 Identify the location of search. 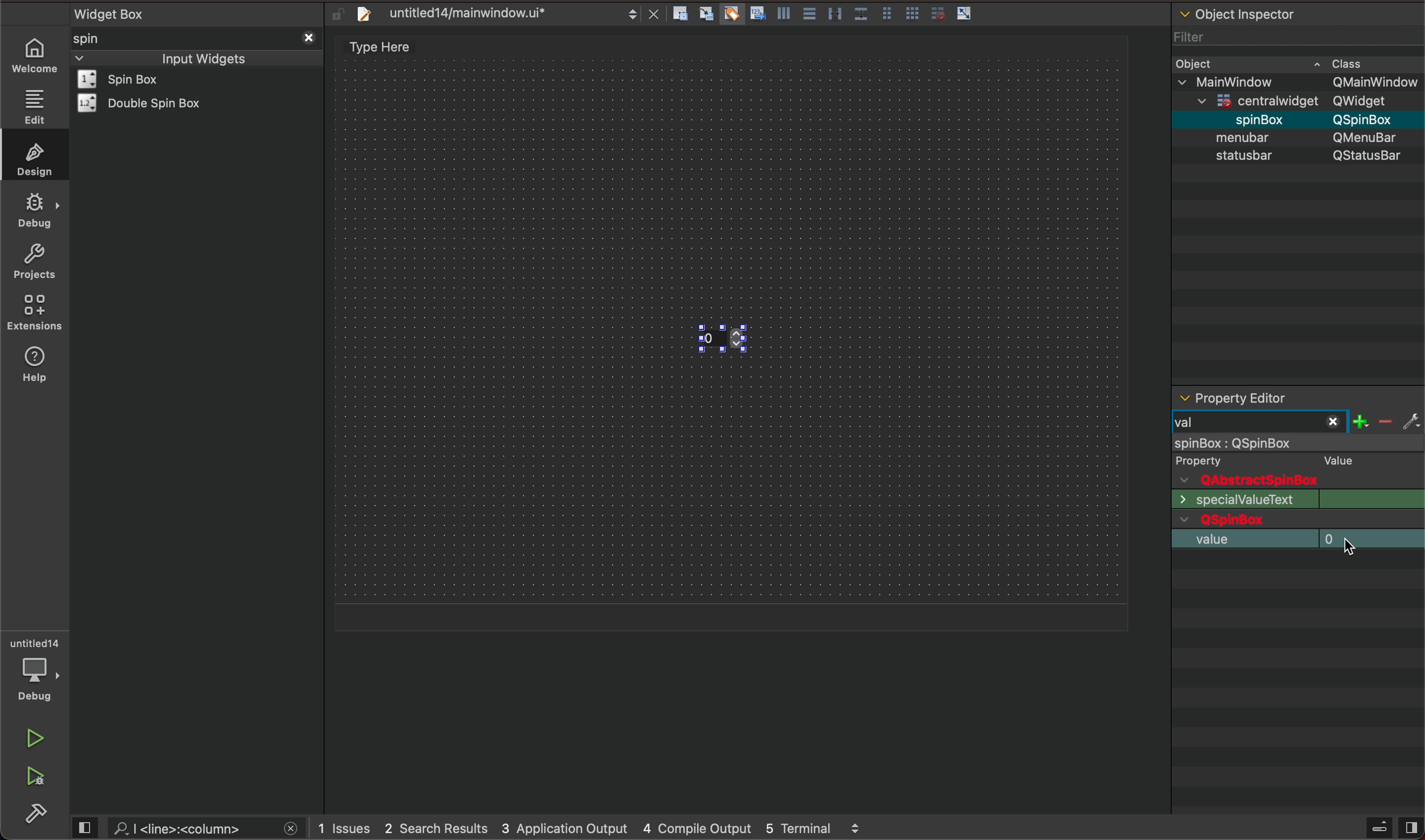
(191, 828).